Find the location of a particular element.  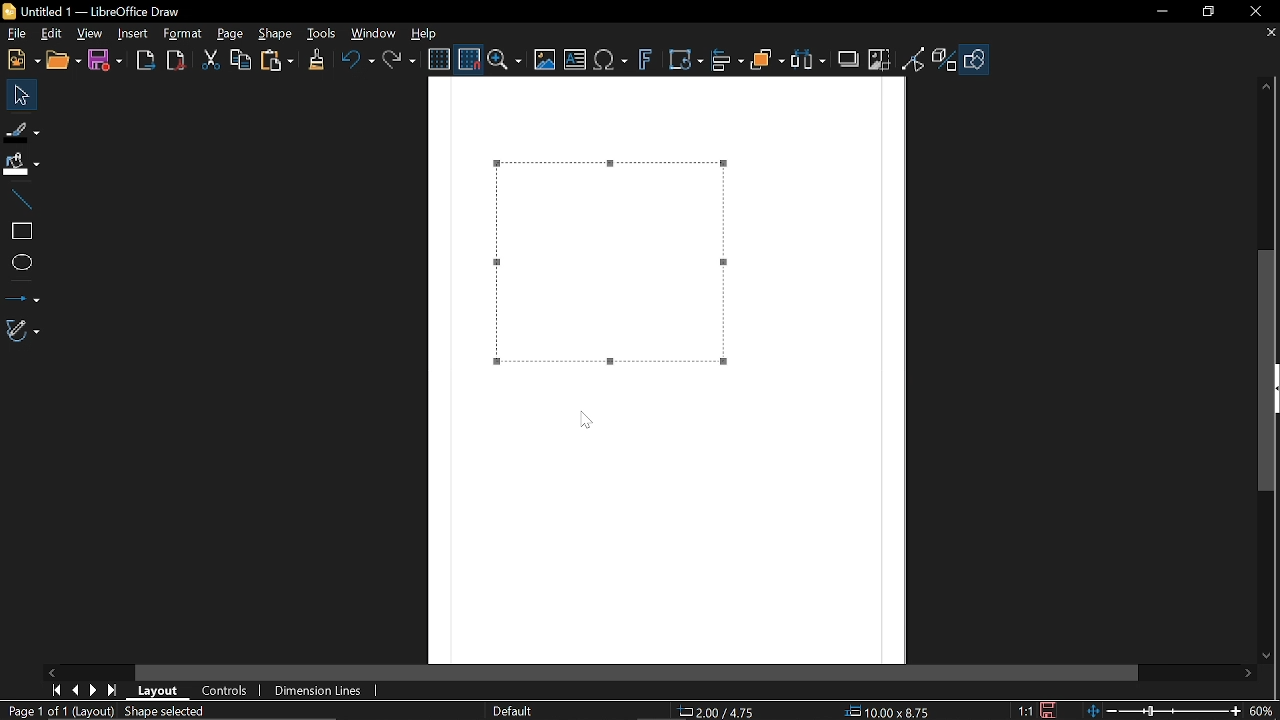

Restore down is located at coordinates (1208, 13).